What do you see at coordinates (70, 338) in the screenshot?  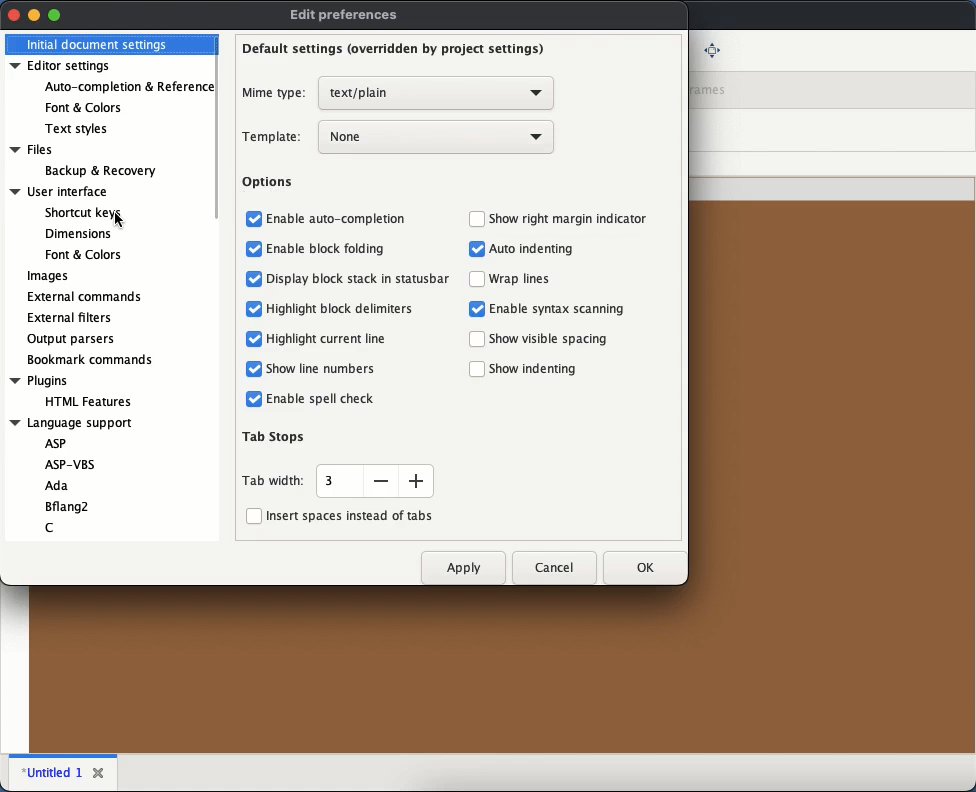 I see `output parsers` at bounding box center [70, 338].